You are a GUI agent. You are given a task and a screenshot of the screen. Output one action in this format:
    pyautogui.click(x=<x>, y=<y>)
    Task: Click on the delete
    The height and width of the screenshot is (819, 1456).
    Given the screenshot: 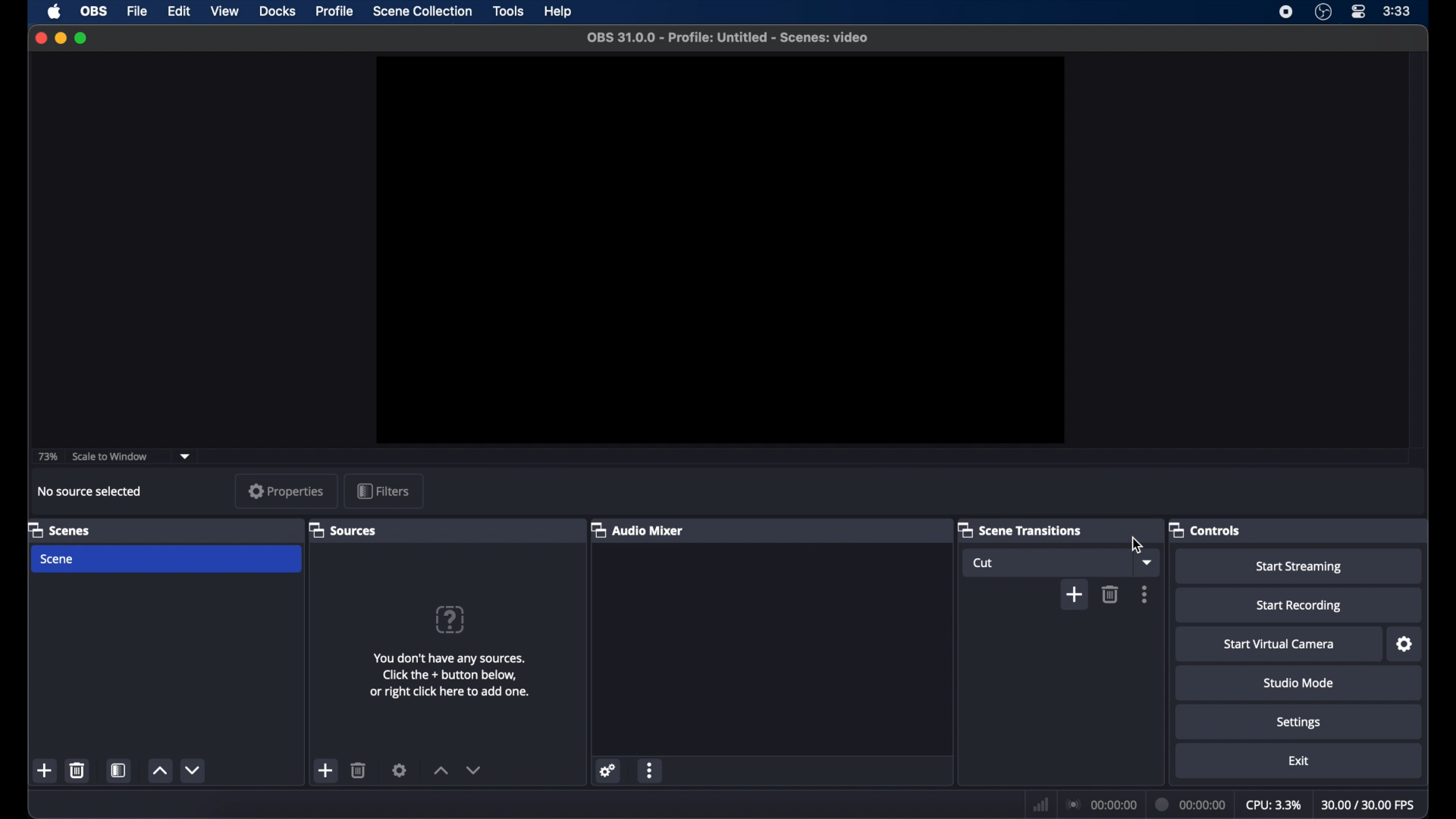 What is the action you would take?
    pyautogui.click(x=78, y=770)
    